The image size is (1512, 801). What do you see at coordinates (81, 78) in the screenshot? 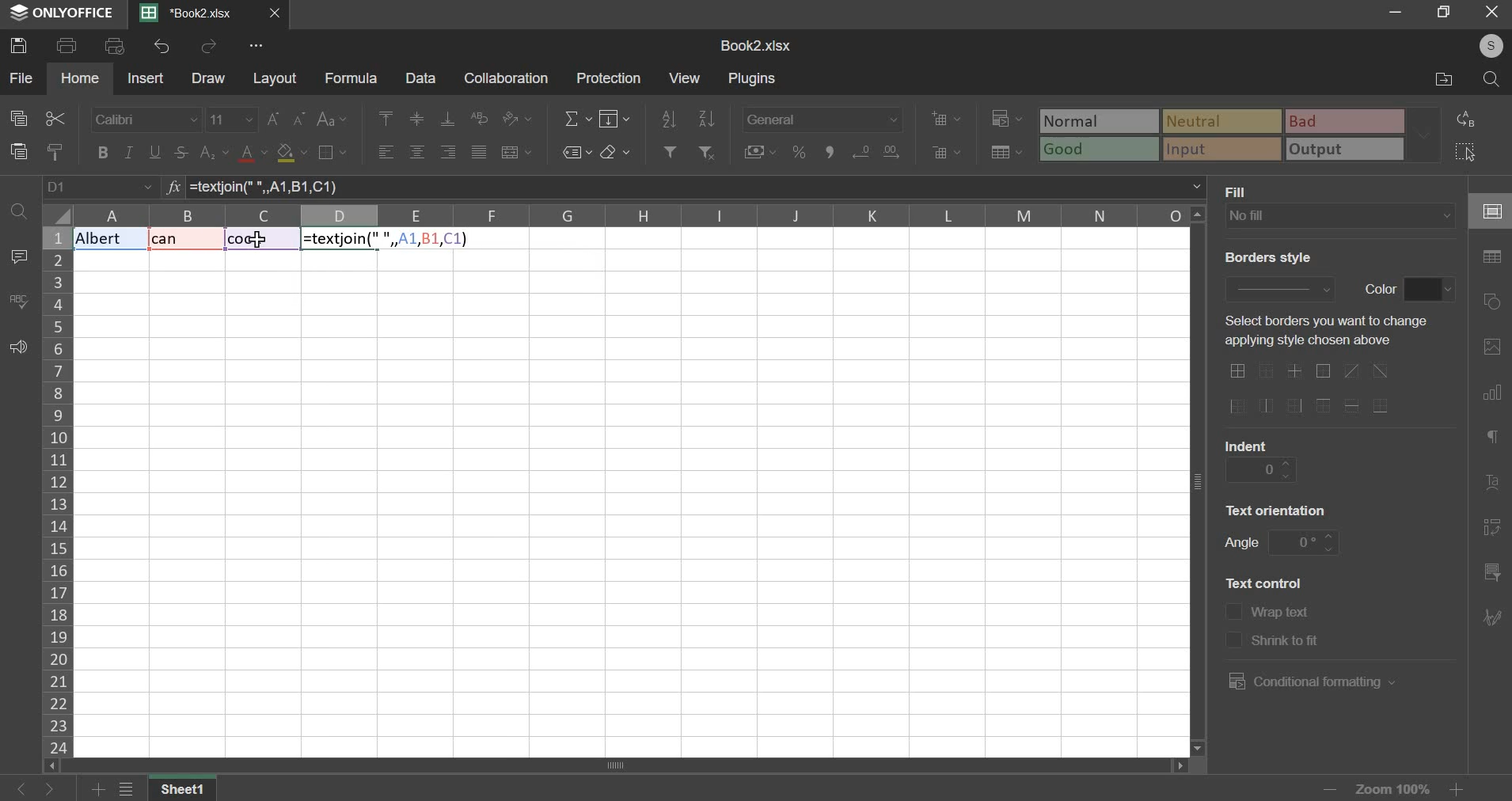
I see `home` at bounding box center [81, 78].